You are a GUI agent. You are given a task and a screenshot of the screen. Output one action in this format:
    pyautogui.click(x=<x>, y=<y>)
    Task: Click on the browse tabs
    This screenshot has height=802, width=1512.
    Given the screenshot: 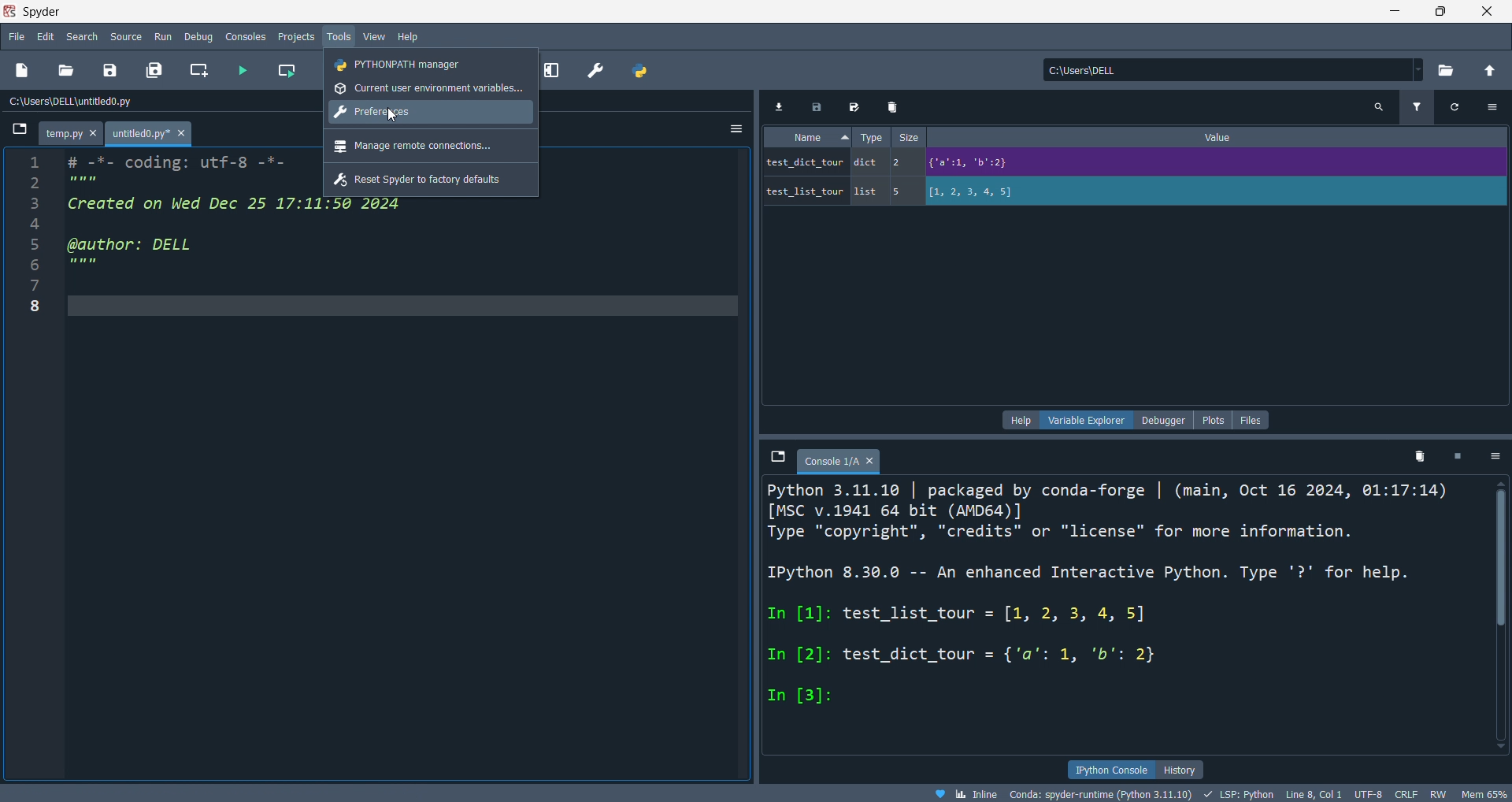 What is the action you would take?
    pyautogui.click(x=778, y=457)
    